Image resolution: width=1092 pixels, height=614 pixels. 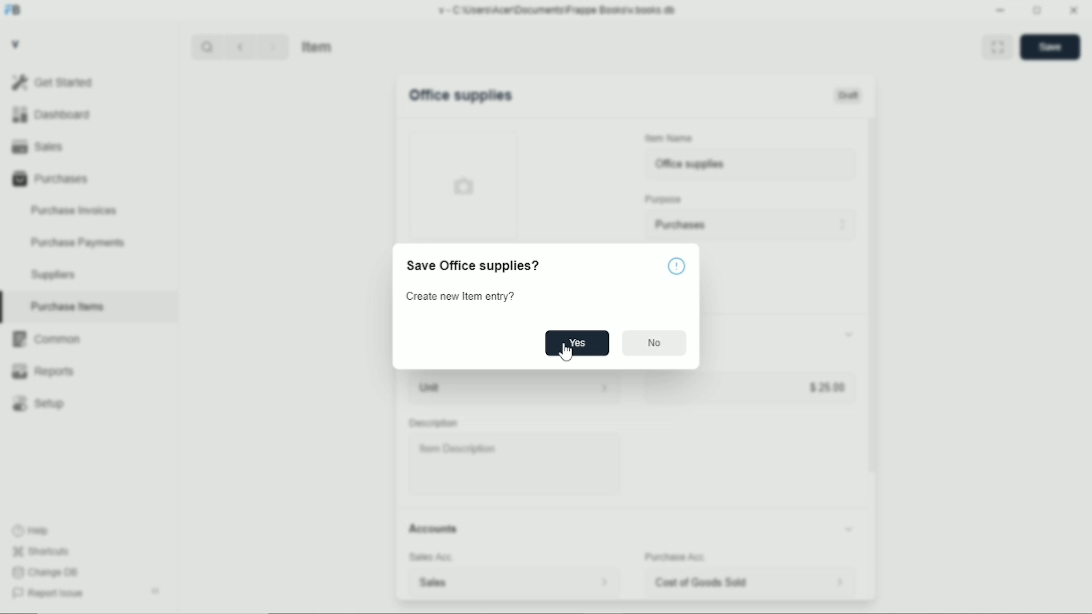 What do you see at coordinates (17, 43) in the screenshot?
I see `v` at bounding box center [17, 43].